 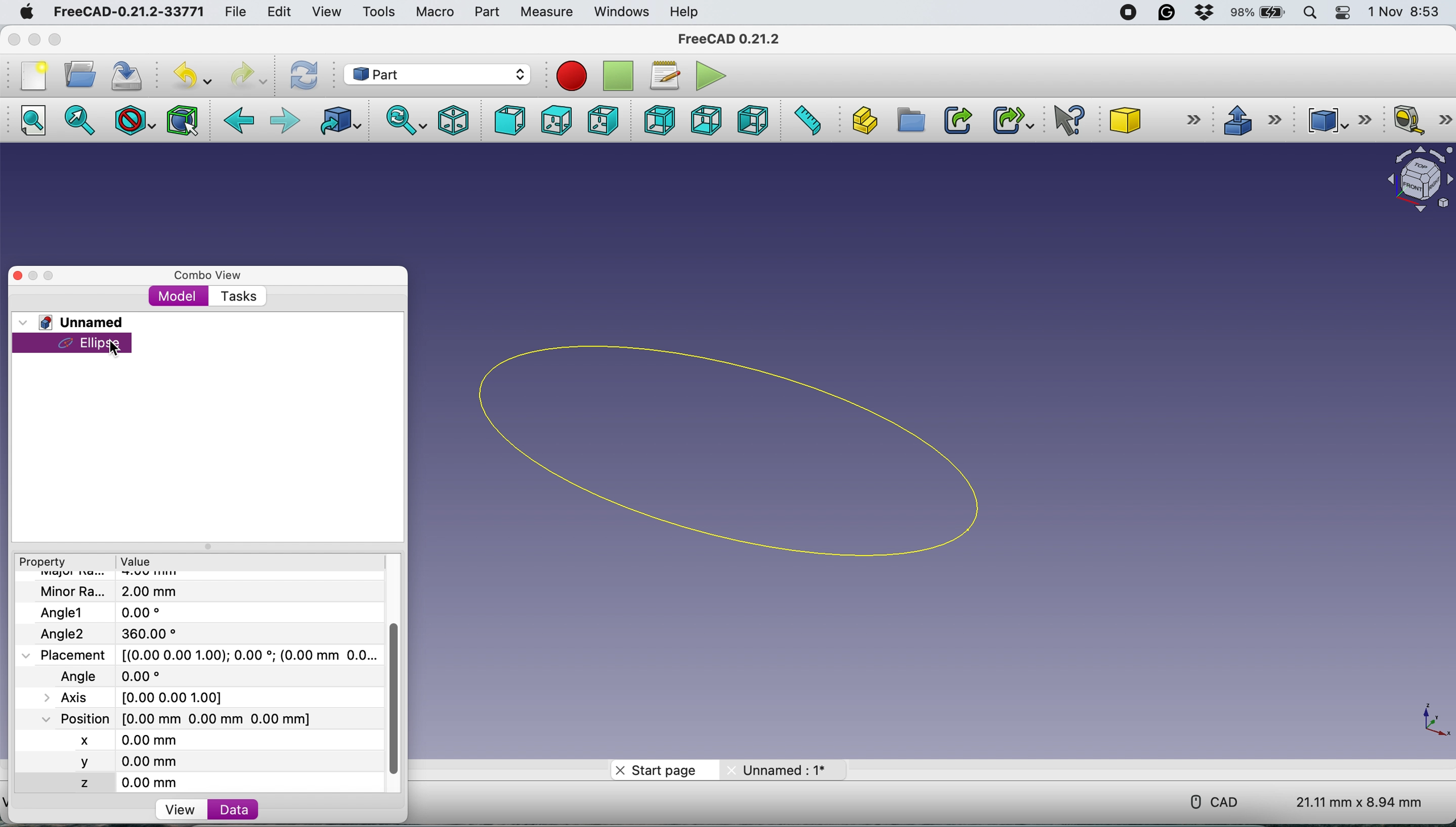 What do you see at coordinates (727, 40) in the screenshot?
I see `freecad` at bounding box center [727, 40].